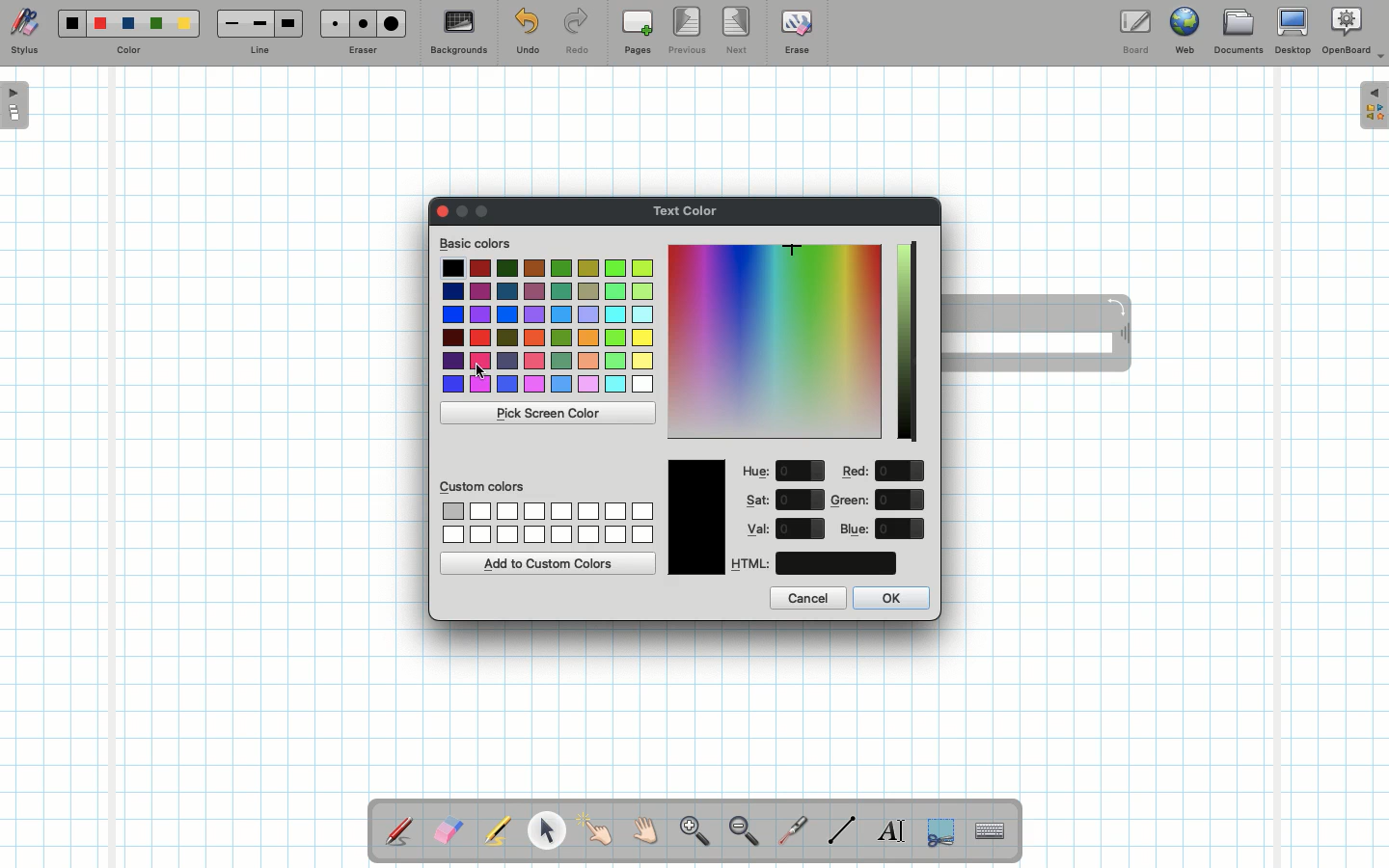 This screenshot has height=868, width=1389. What do you see at coordinates (496, 832) in the screenshot?
I see `Highlighter` at bounding box center [496, 832].